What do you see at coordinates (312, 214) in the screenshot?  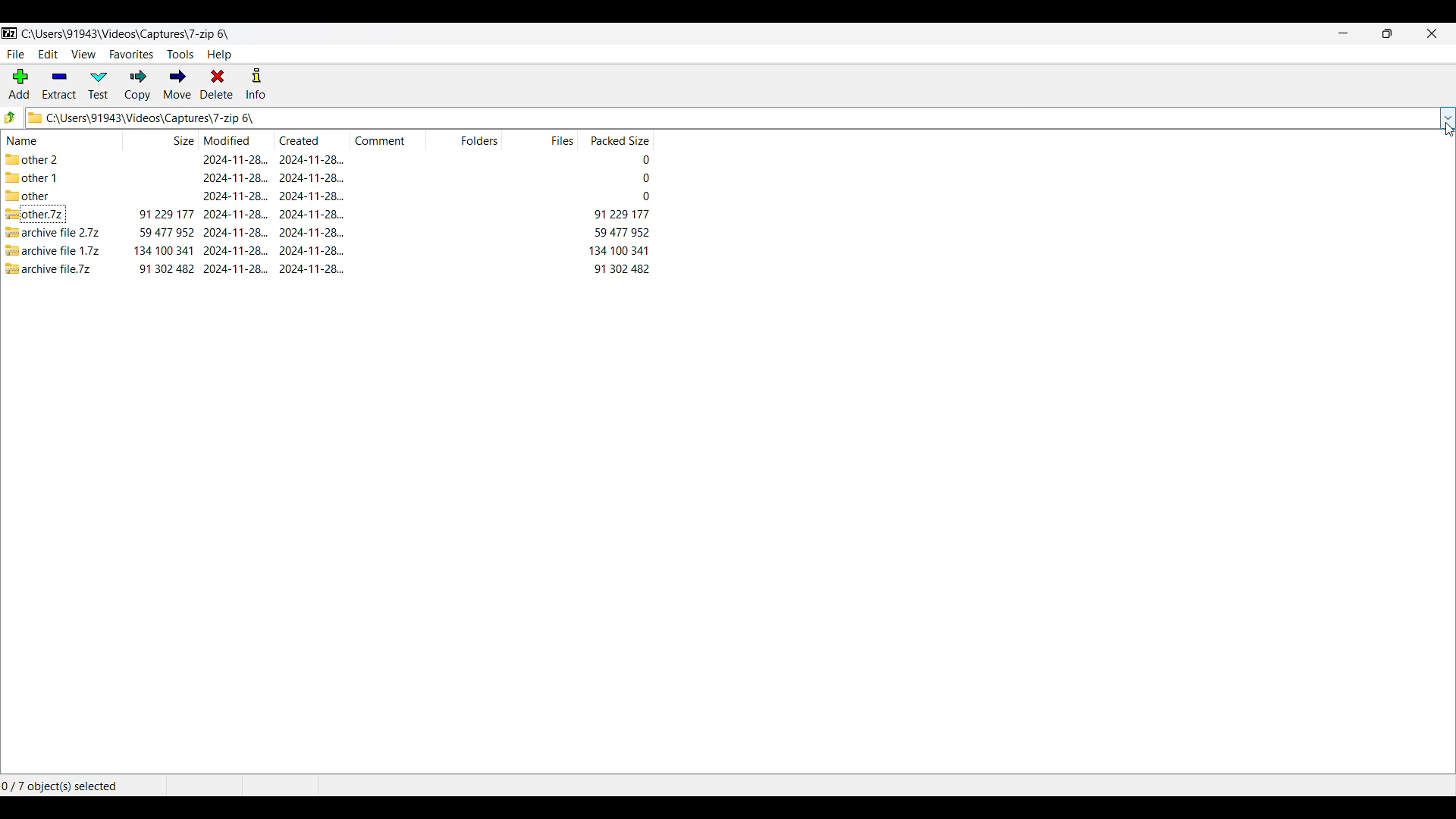 I see `created date & time` at bounding box center [312, 214].